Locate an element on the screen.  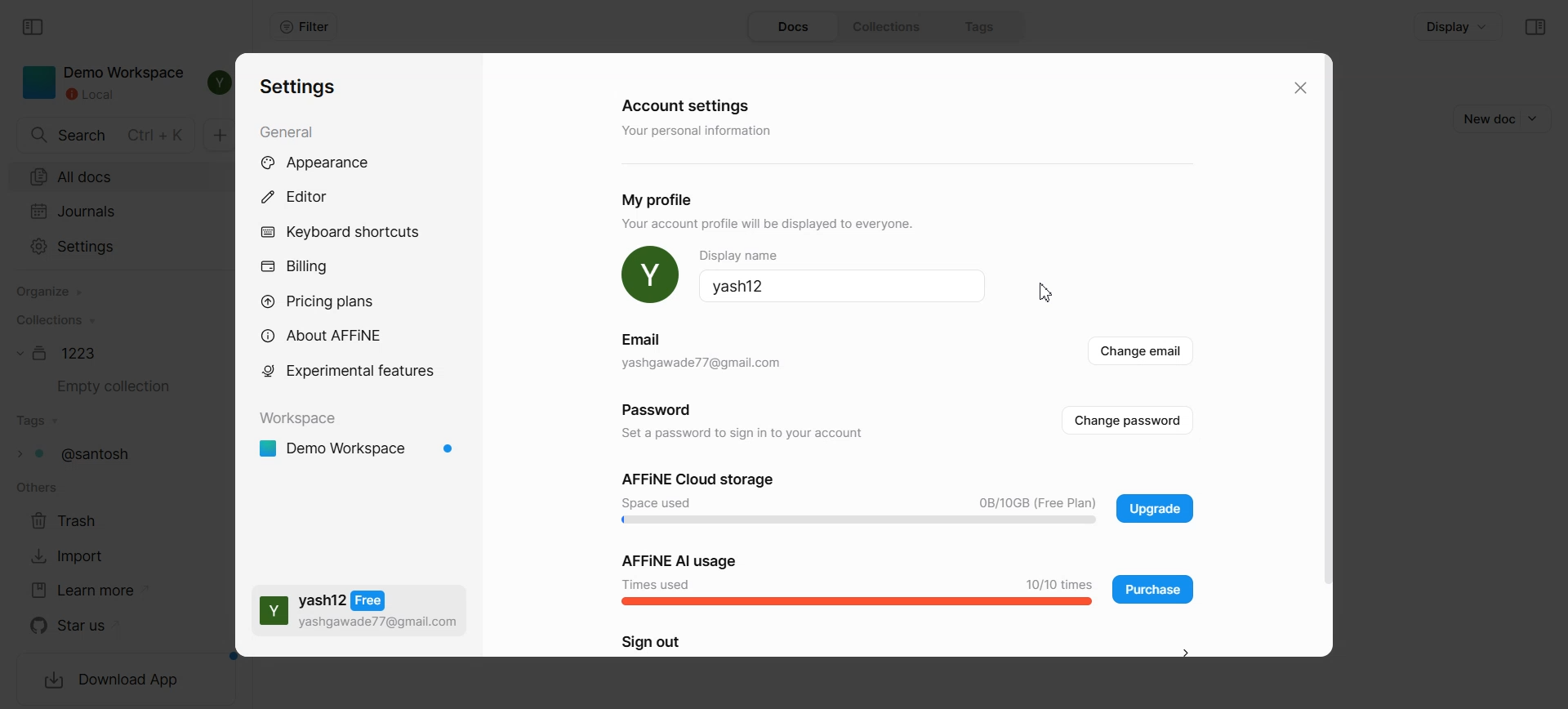
YOUr account proftie will be displayed 1o everyone. is located at coordinates (777, 222).